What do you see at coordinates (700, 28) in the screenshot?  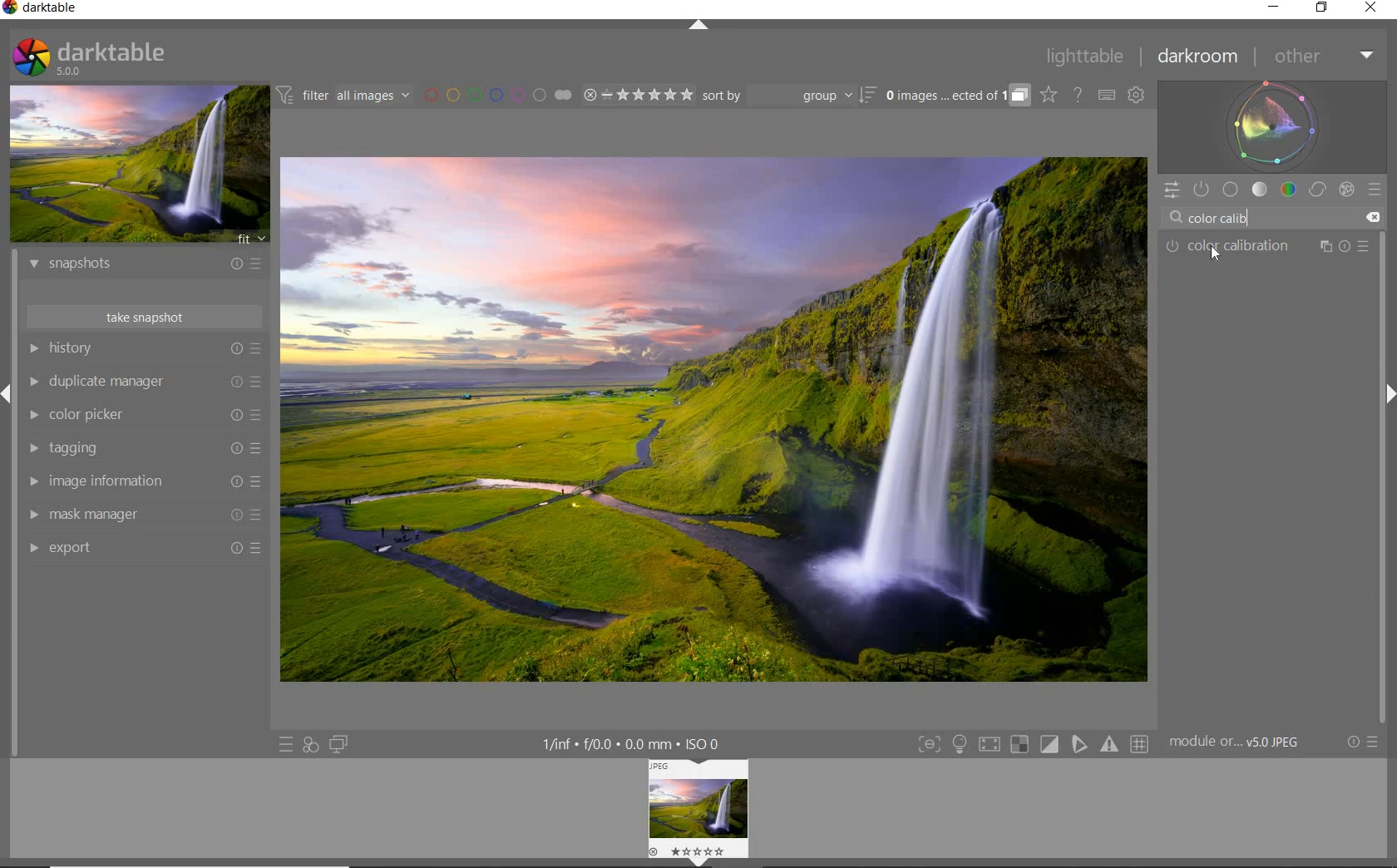 I see `EXPAND/COLLAPSE` at bounding box center [700, 28].